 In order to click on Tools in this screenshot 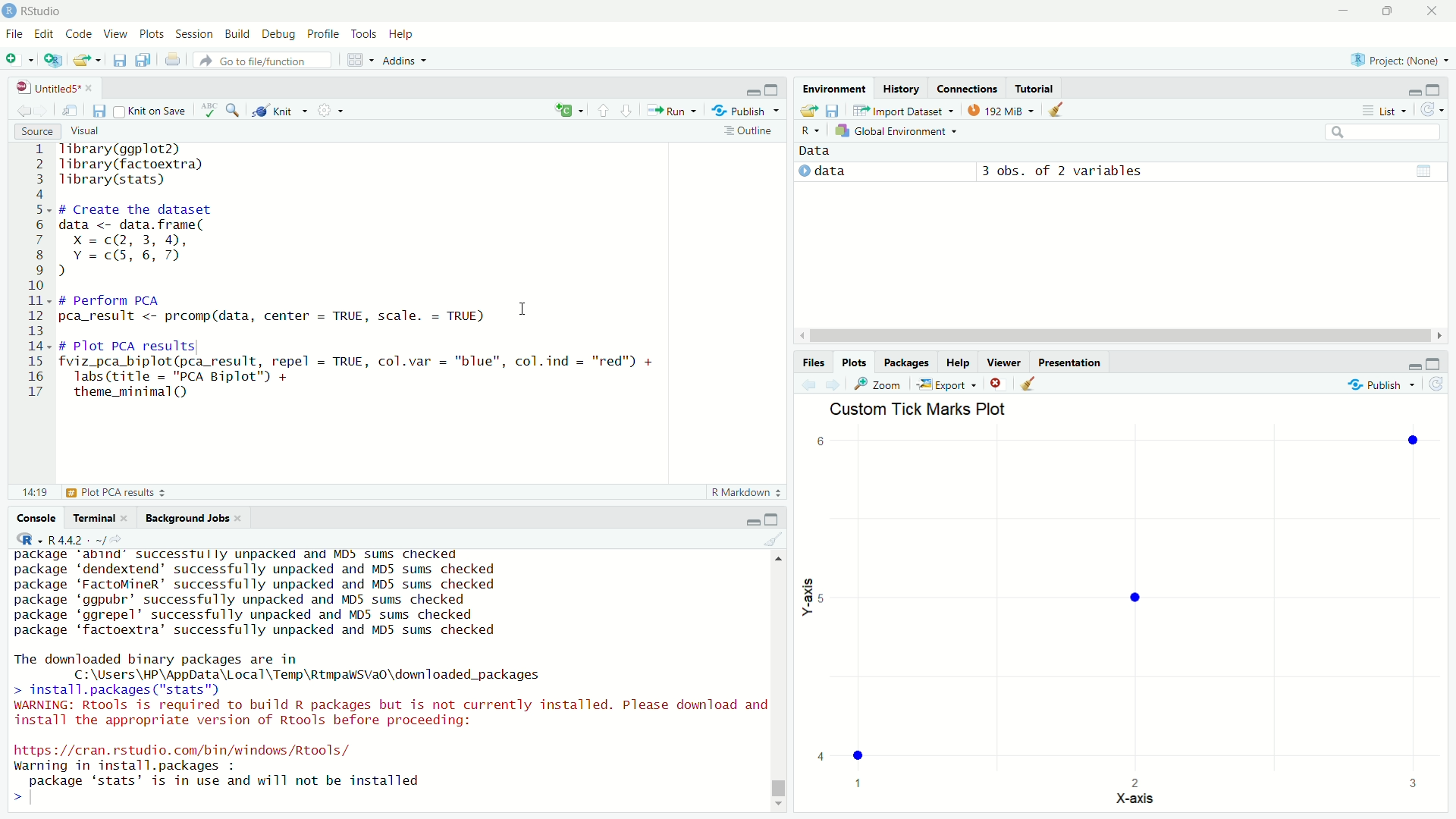, I will do `click(365, 35)`.